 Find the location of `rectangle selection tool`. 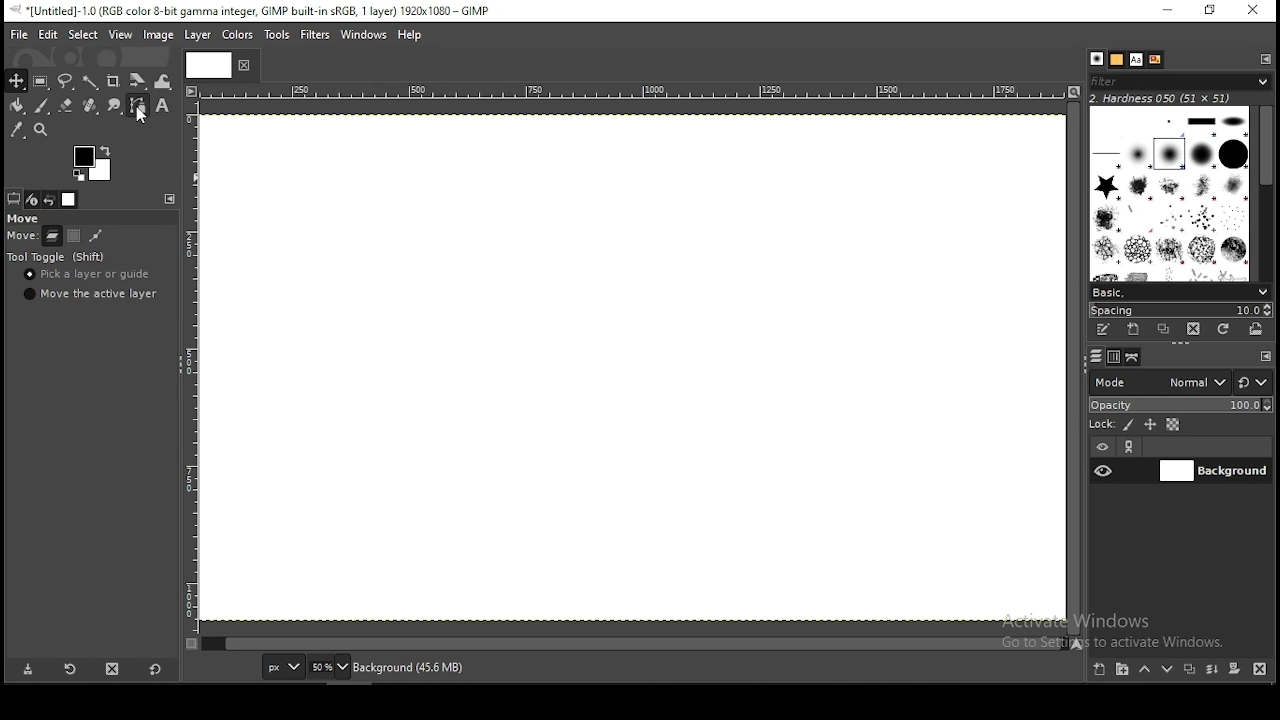

rectangle selection tool is located at coordinates (38, 80).